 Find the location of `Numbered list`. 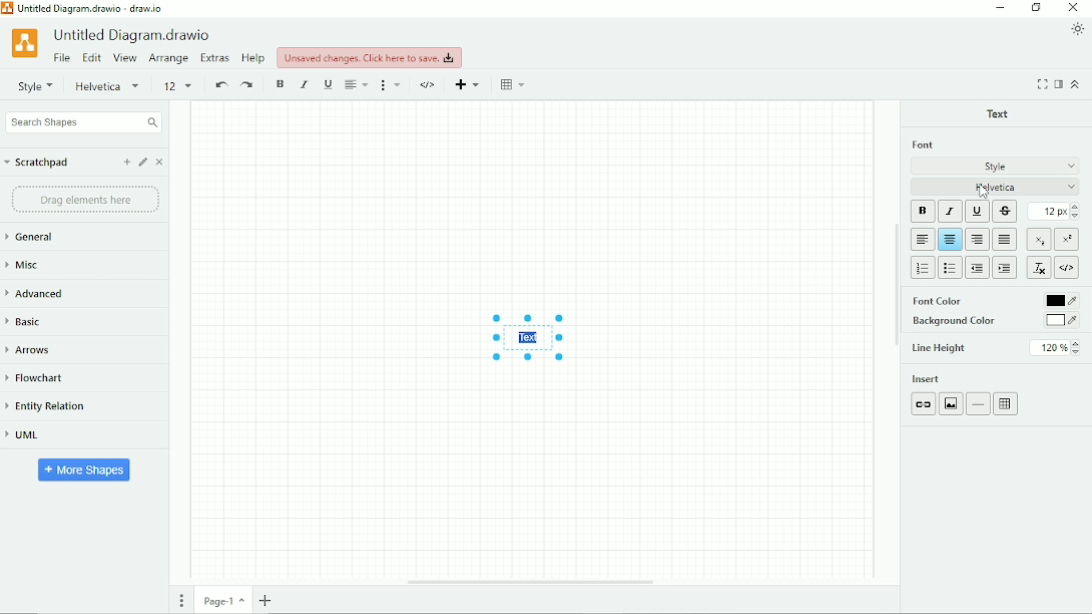

Numbered list is located at coordinates (922, 268).